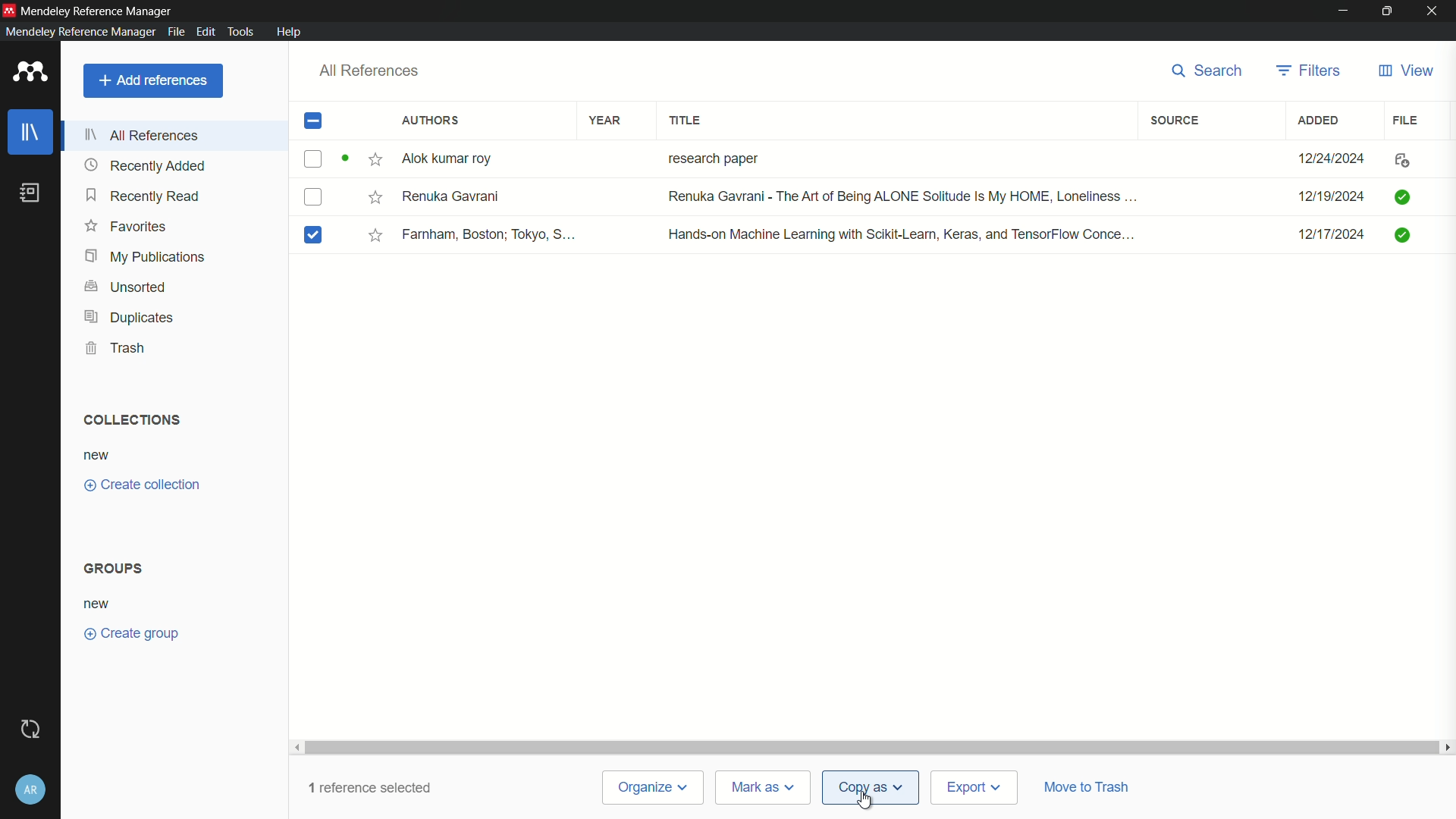 Image resolution: width=1456 pixels, height=819 pixels. I want to click on create group, so click(132, 633).